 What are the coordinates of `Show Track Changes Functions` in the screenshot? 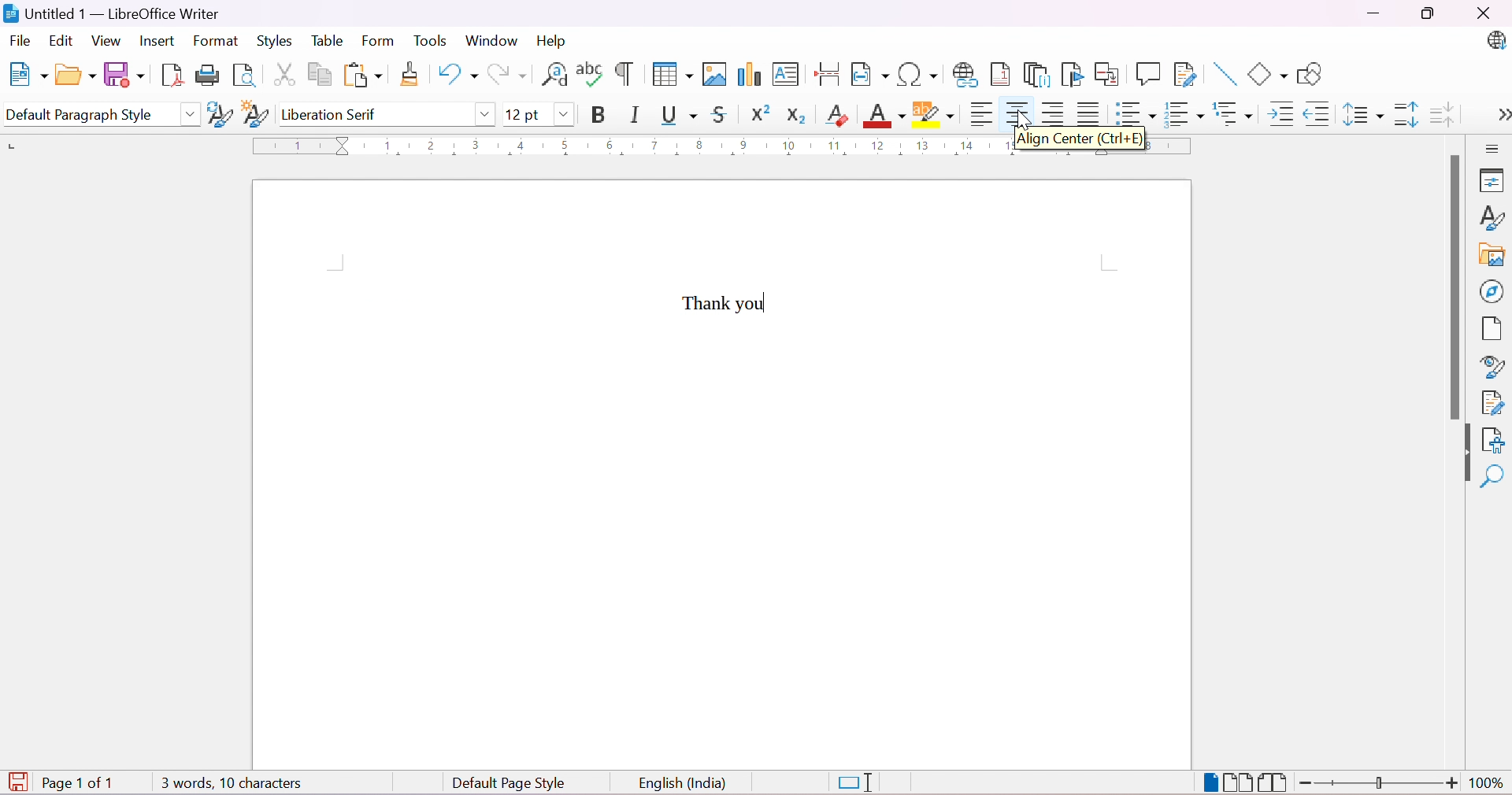 It's located at (1187, 74).